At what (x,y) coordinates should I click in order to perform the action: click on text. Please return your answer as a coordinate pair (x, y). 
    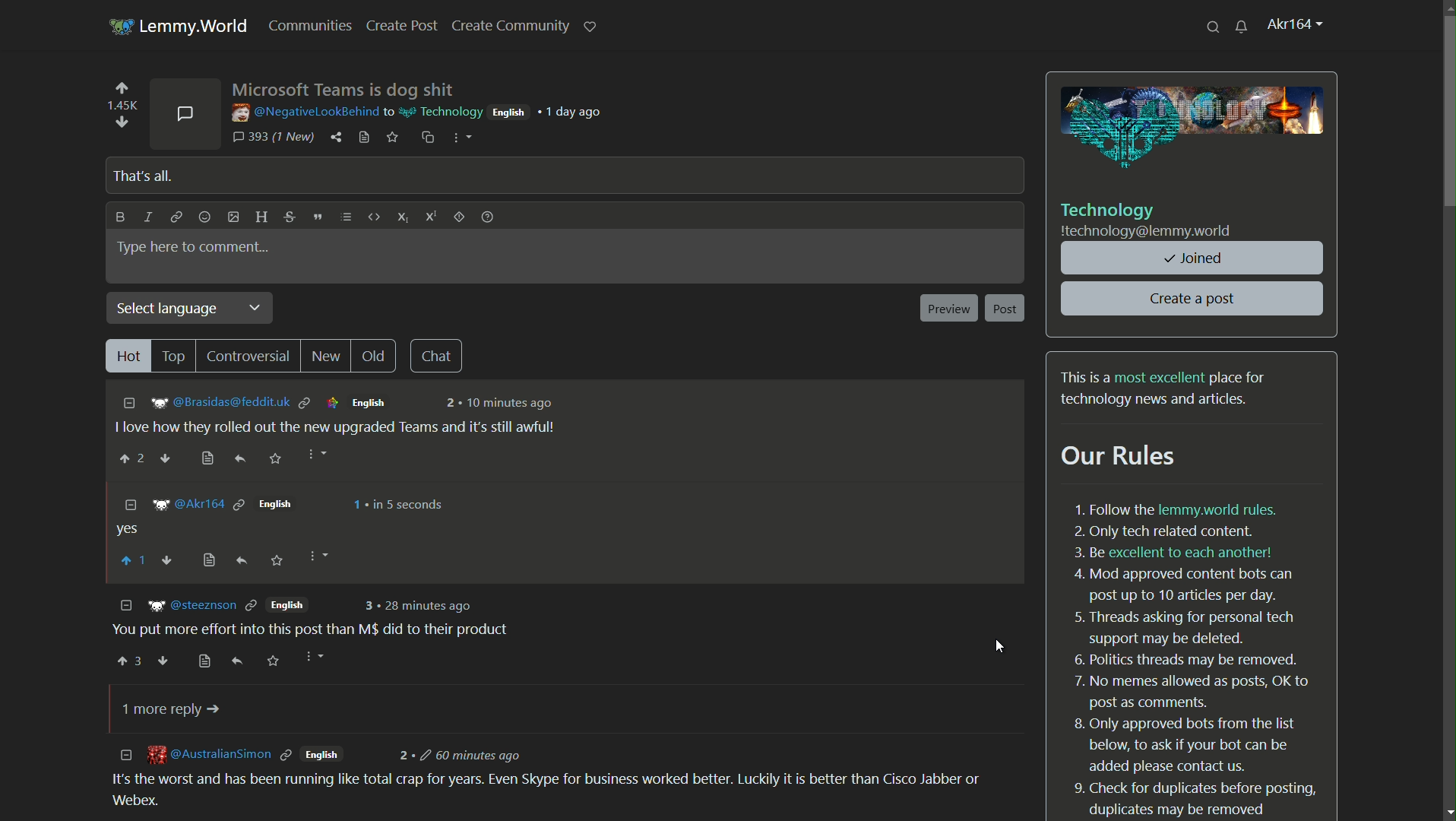
    Looking at the image, I should click on (1196, 656).